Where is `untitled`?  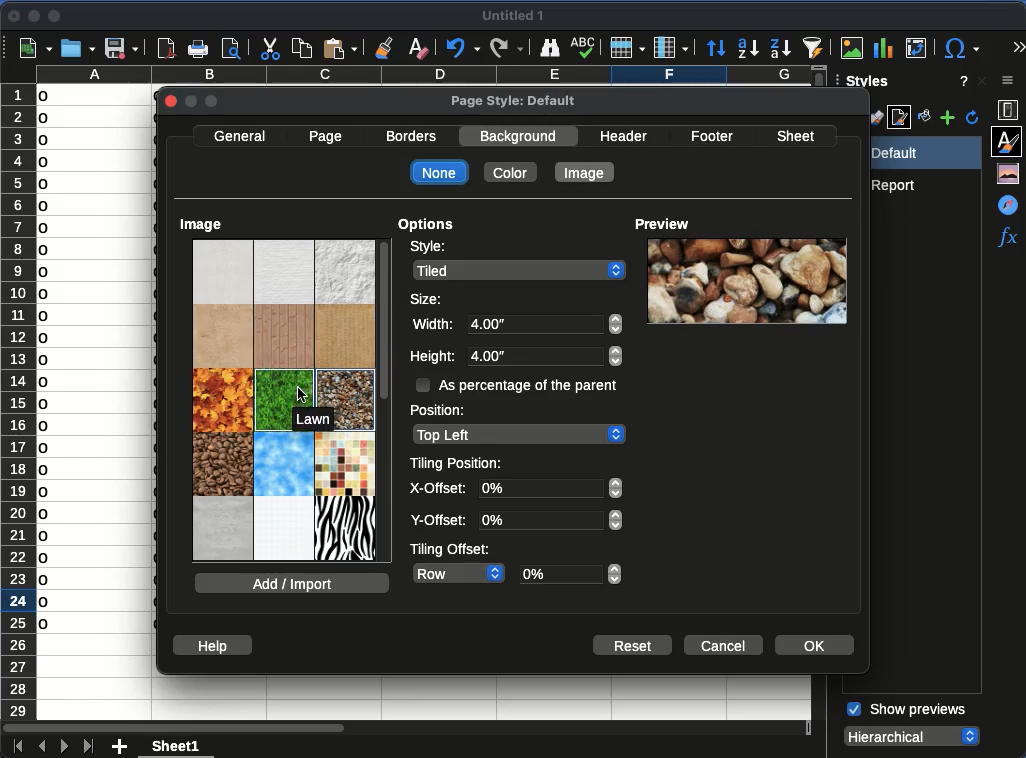 untitled is located at coordinates (517, 17).